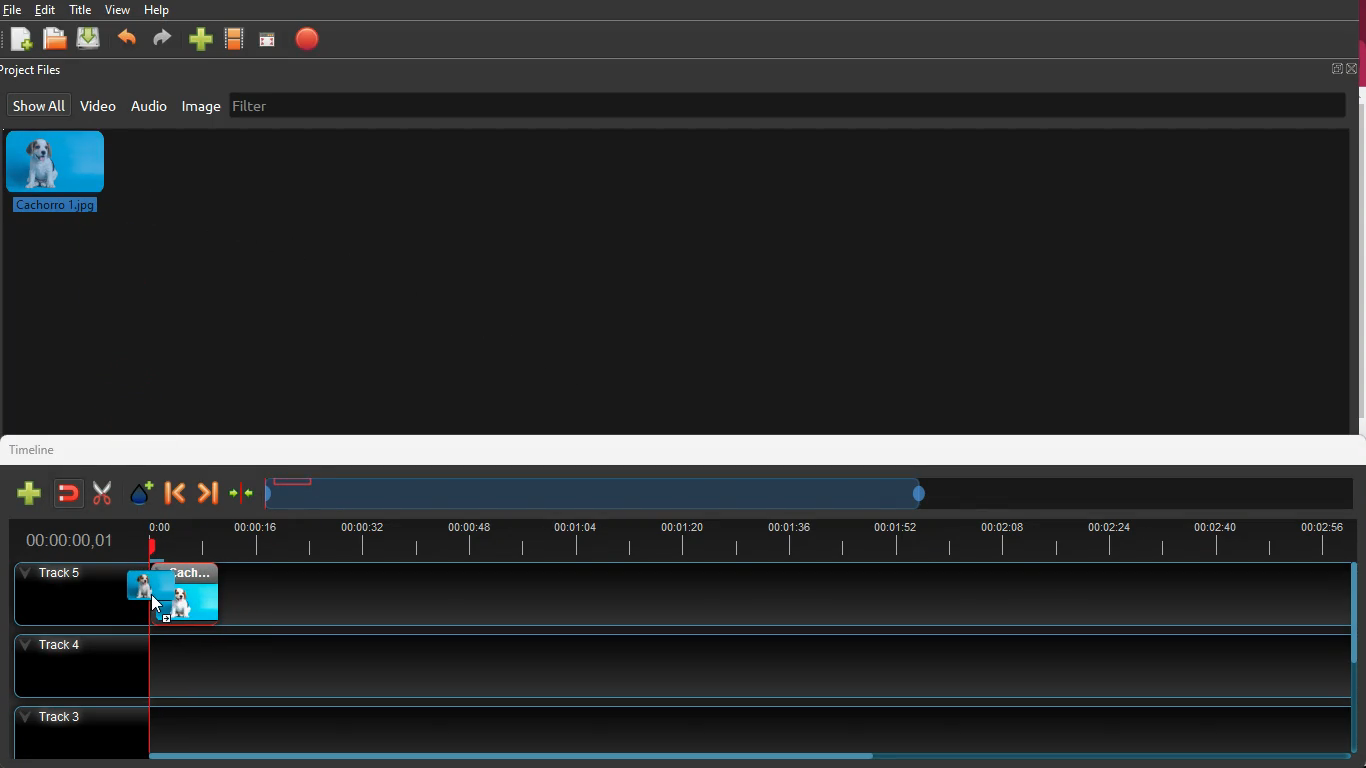 This screenshot has width=1366, height=768. What do you see at coordinates (58, 41) in the screenshot?
I see `file` at bounding box center [58, 41].